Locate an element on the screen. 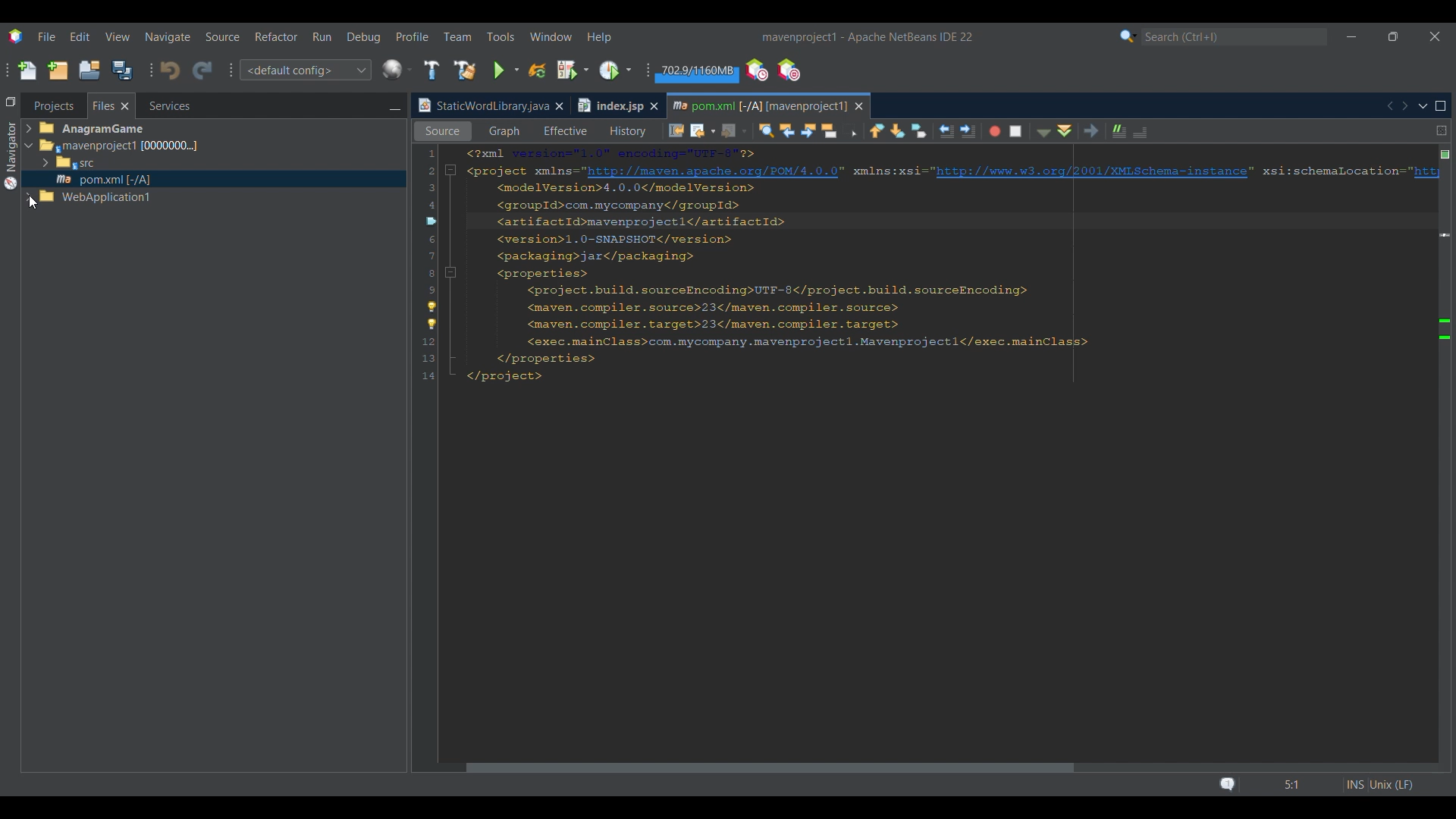 The image size is (1456, 819). Team menu is located at coordinates (457, 36).